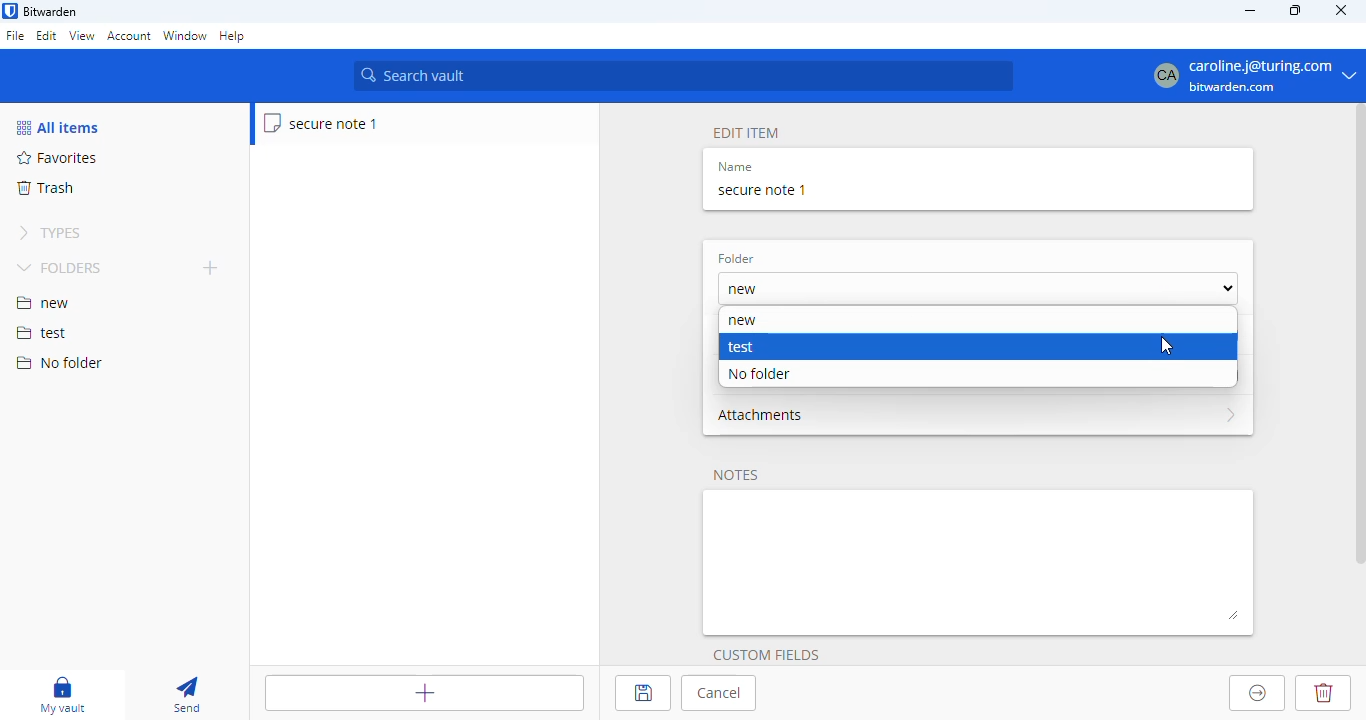 The image size is (1366, 720). Describe the element at coordinates (980, 562) in the screenshot. I see `notes` at that location.